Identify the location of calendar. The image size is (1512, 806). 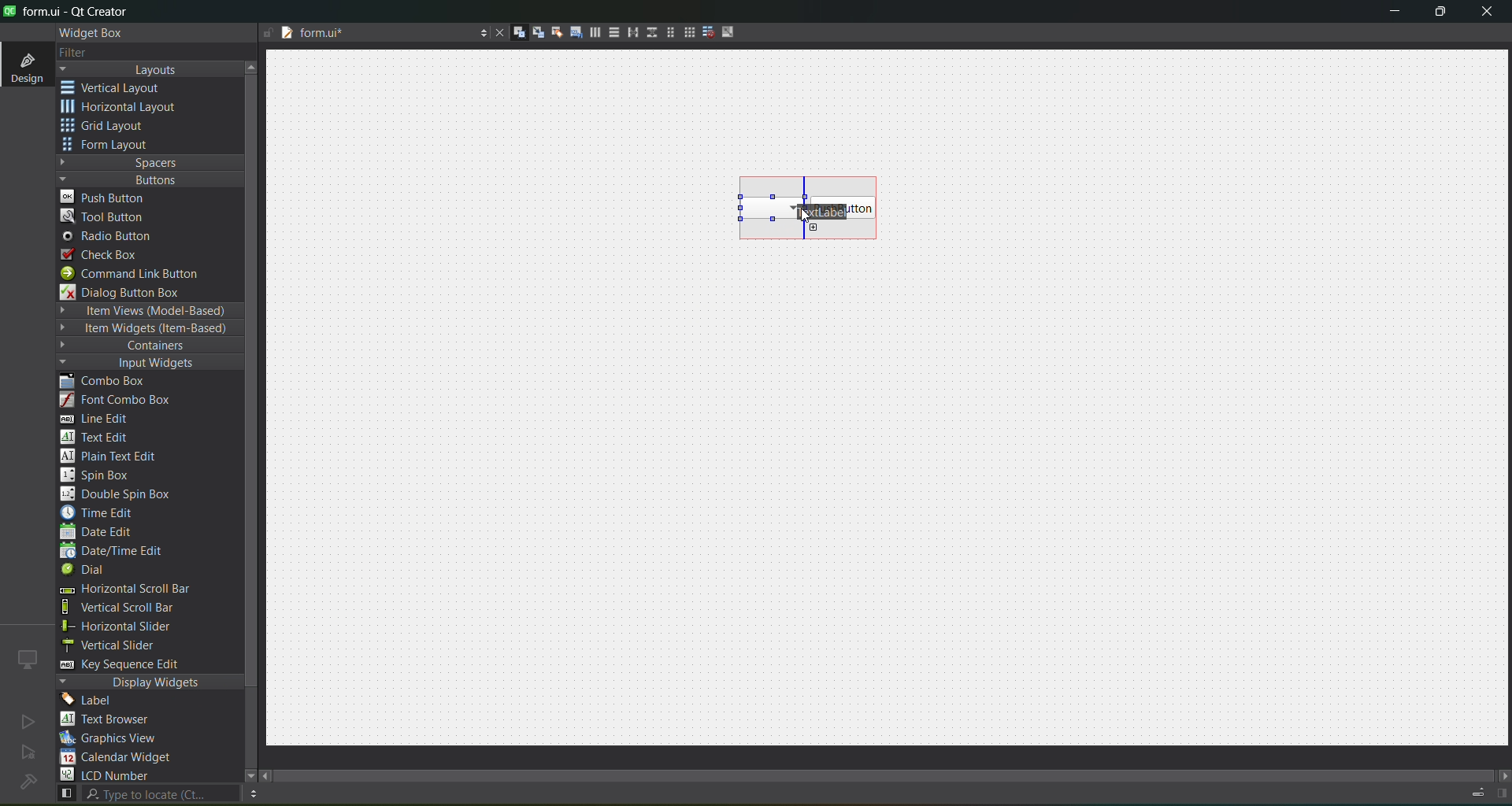
(118, 759).